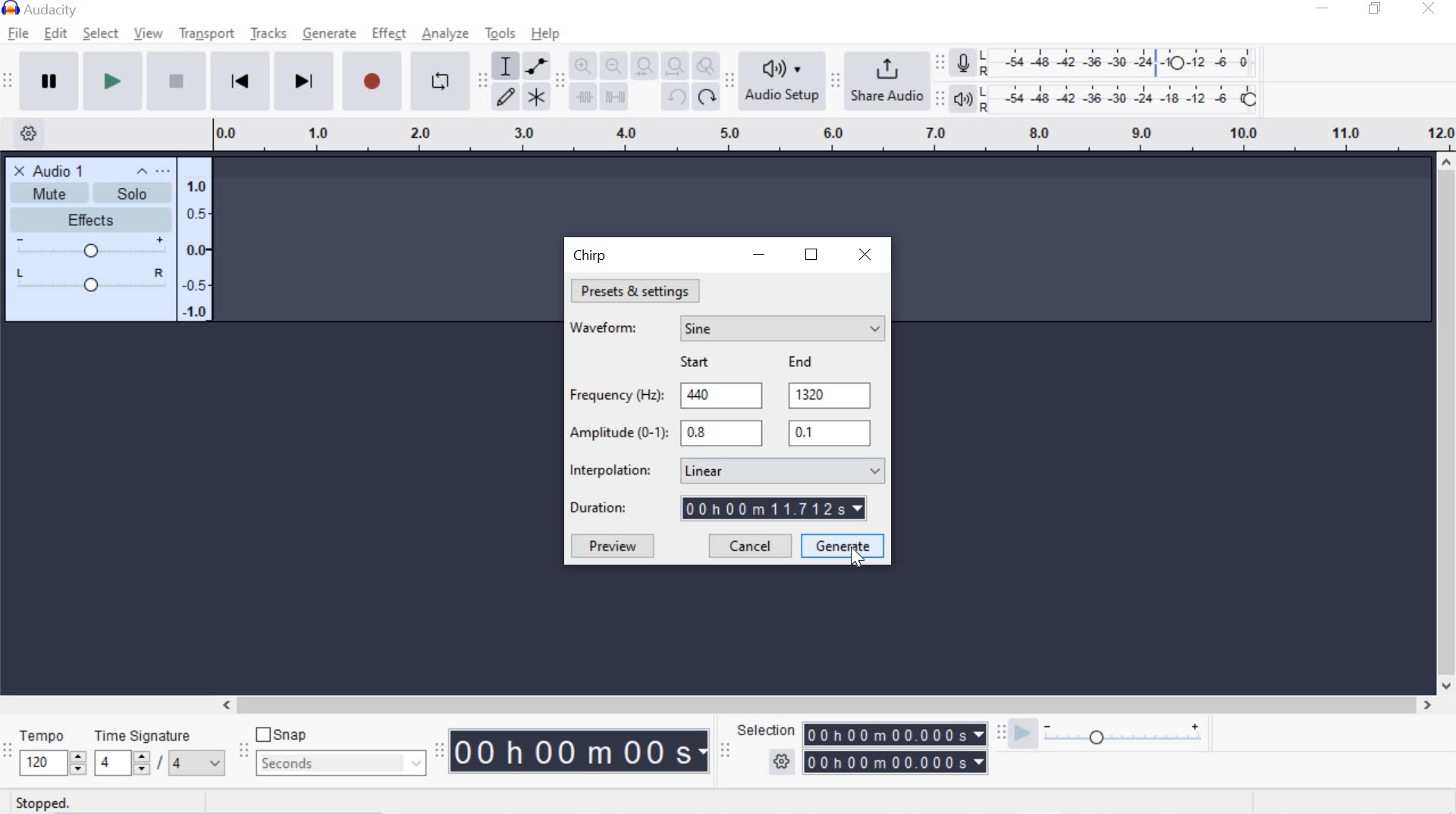 The height and width of the screenshot is (814, 1456). Describe the element at coordinates (52, 750) in the screenshot. I see `Tempo` at that location.